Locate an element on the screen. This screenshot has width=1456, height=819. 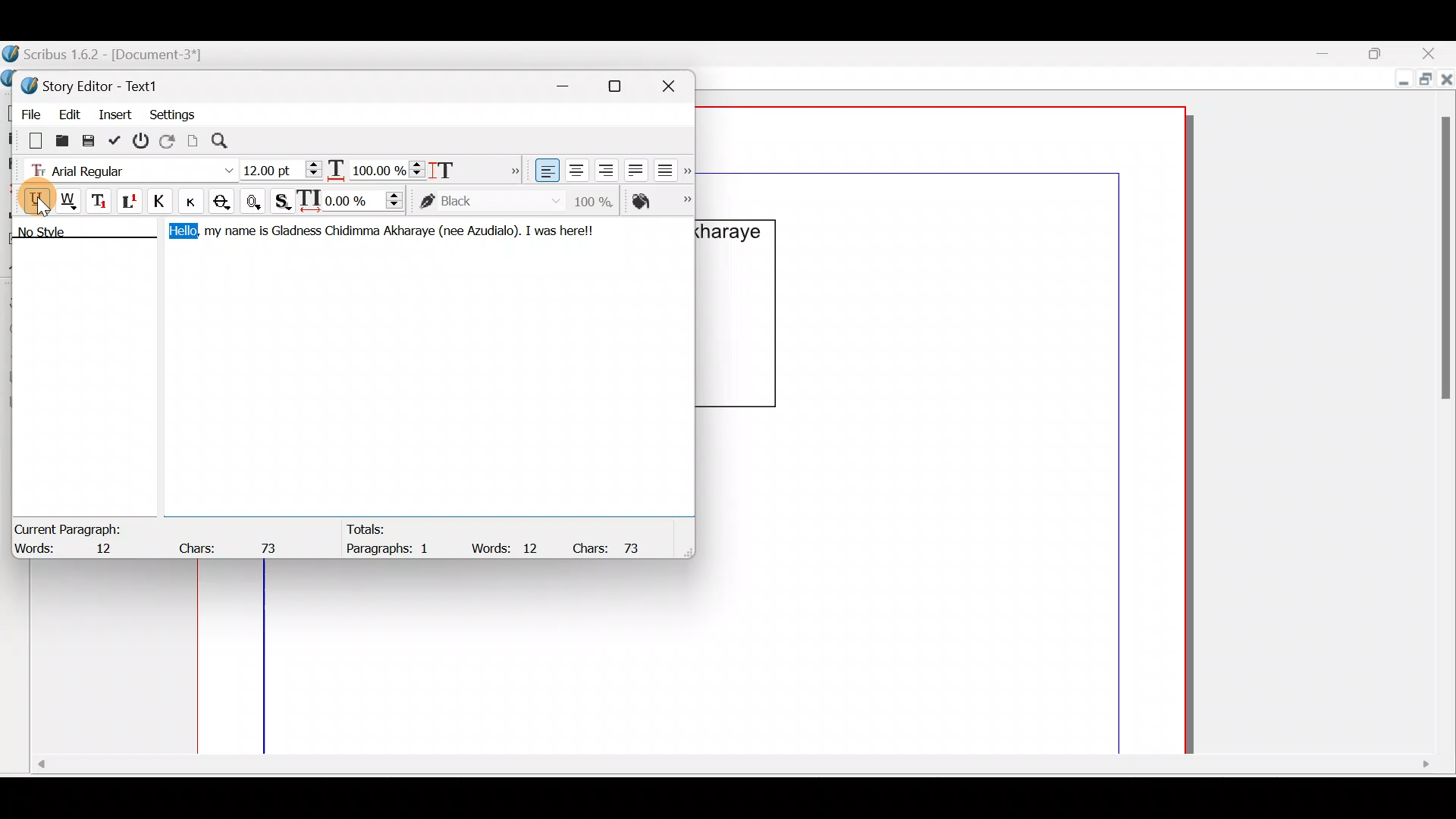
Scroll bar is located at coordinates (1440, 414).